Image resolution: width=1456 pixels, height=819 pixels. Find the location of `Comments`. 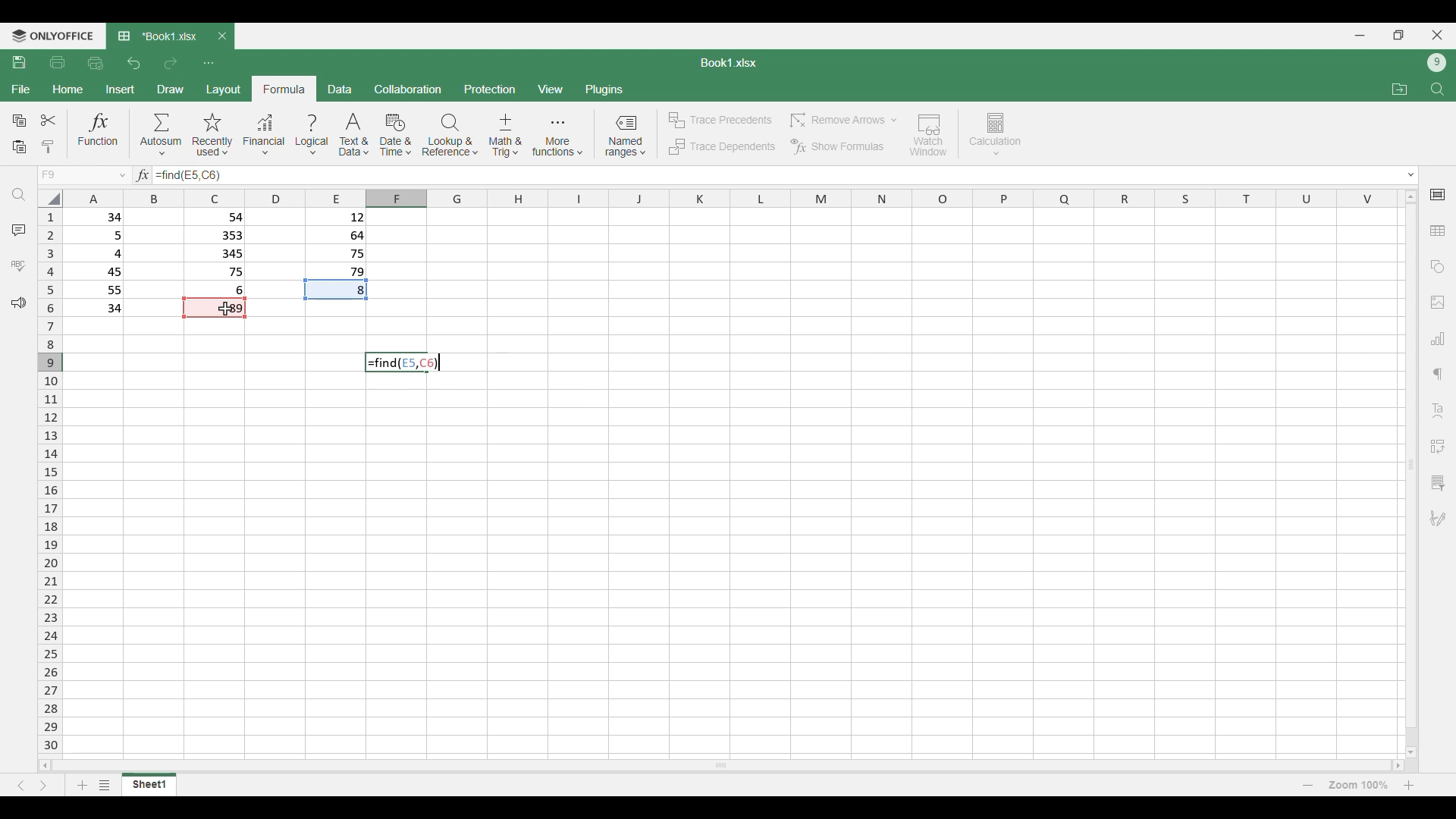

Comments is located at coordinates (19, 231).